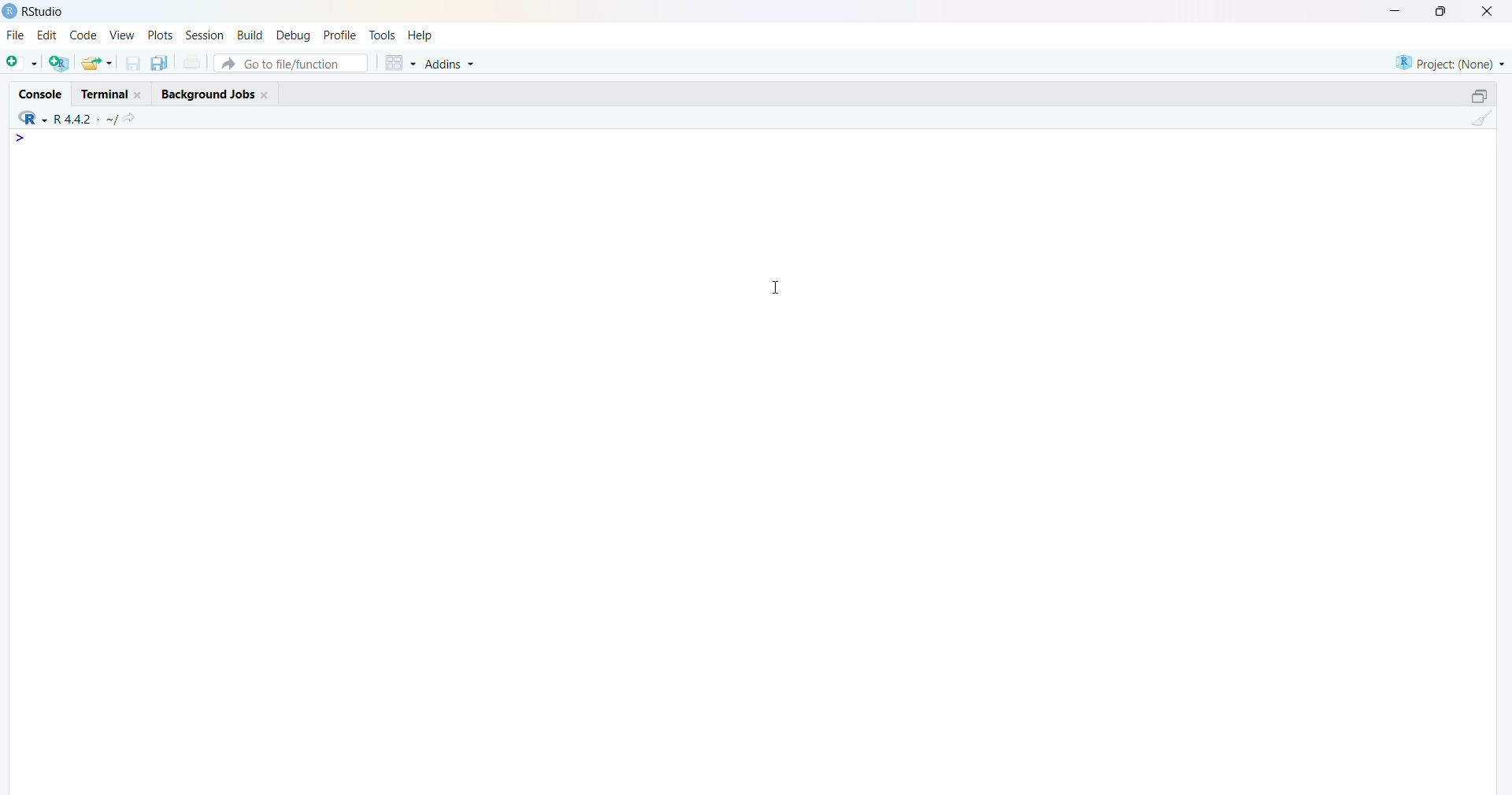 The height and width of the screenshot is (795, 1512). I want to click on profile, so click(343, 35).